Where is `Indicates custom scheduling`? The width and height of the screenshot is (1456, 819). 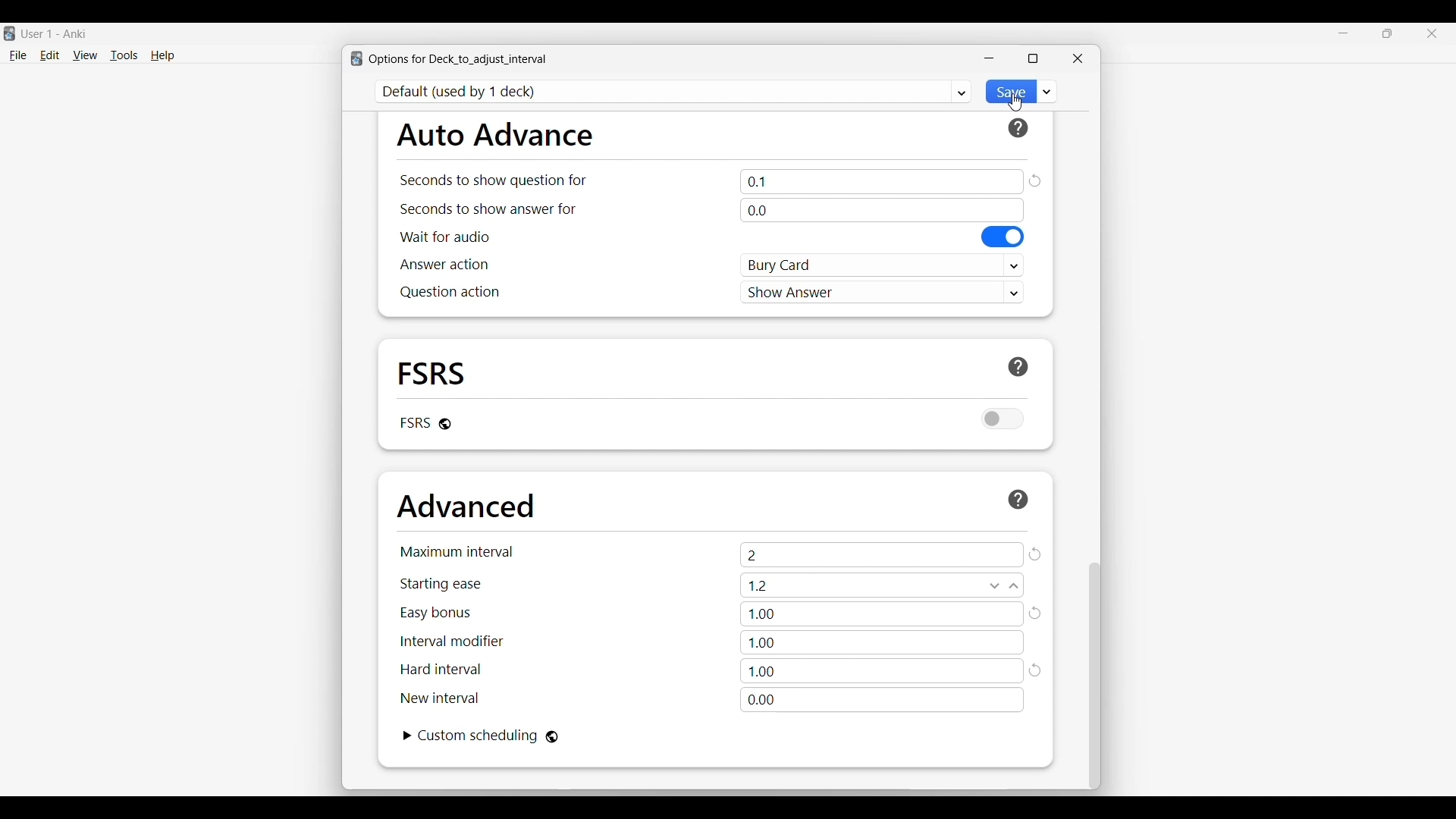 Indicates custom scheduling is located at coordinates (479, 736).